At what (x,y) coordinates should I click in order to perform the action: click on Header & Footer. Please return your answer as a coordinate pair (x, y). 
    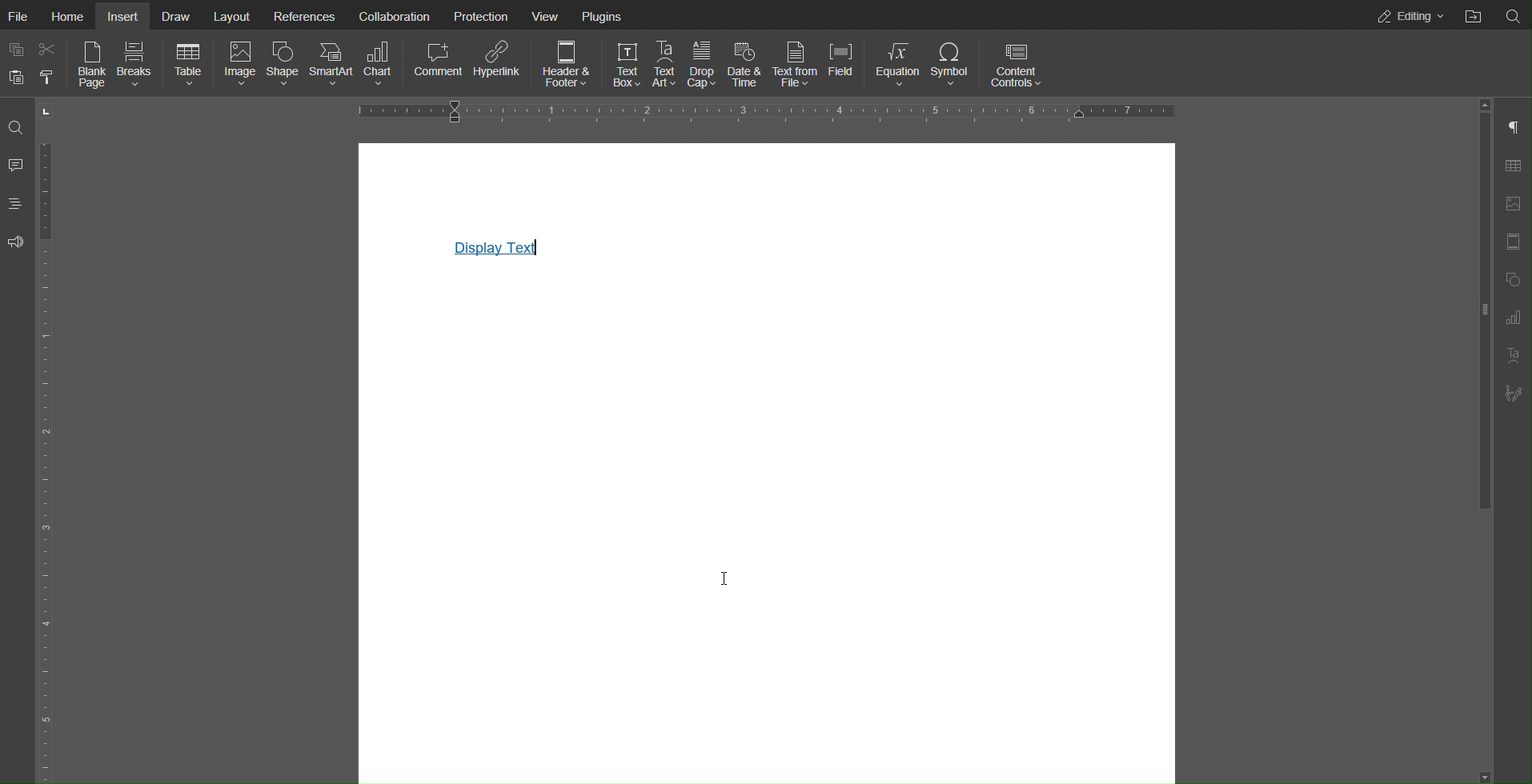
    Looking at the image, I should click on (565, 63).